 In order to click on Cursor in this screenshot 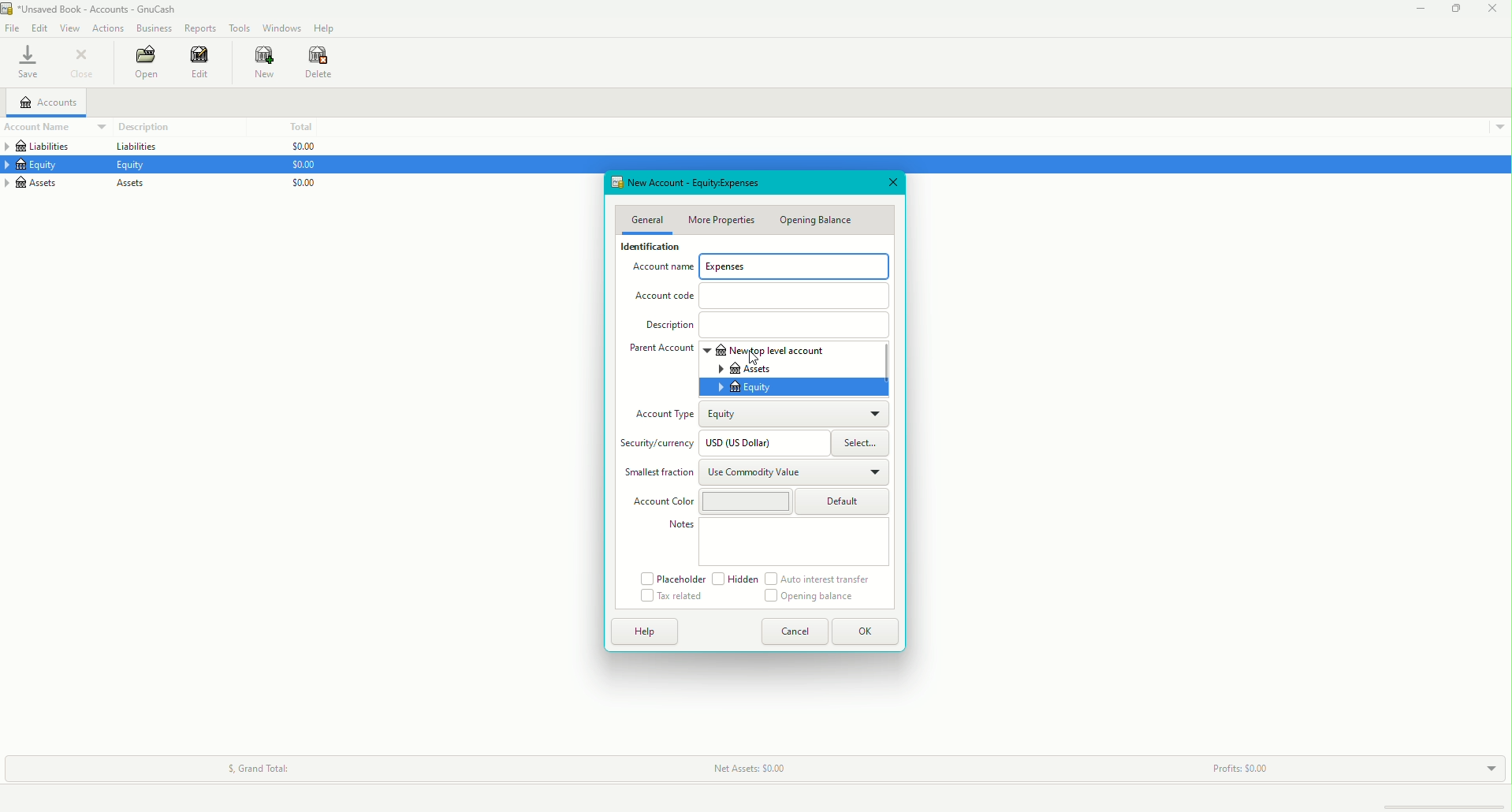, I will do `click(573, 619)`.